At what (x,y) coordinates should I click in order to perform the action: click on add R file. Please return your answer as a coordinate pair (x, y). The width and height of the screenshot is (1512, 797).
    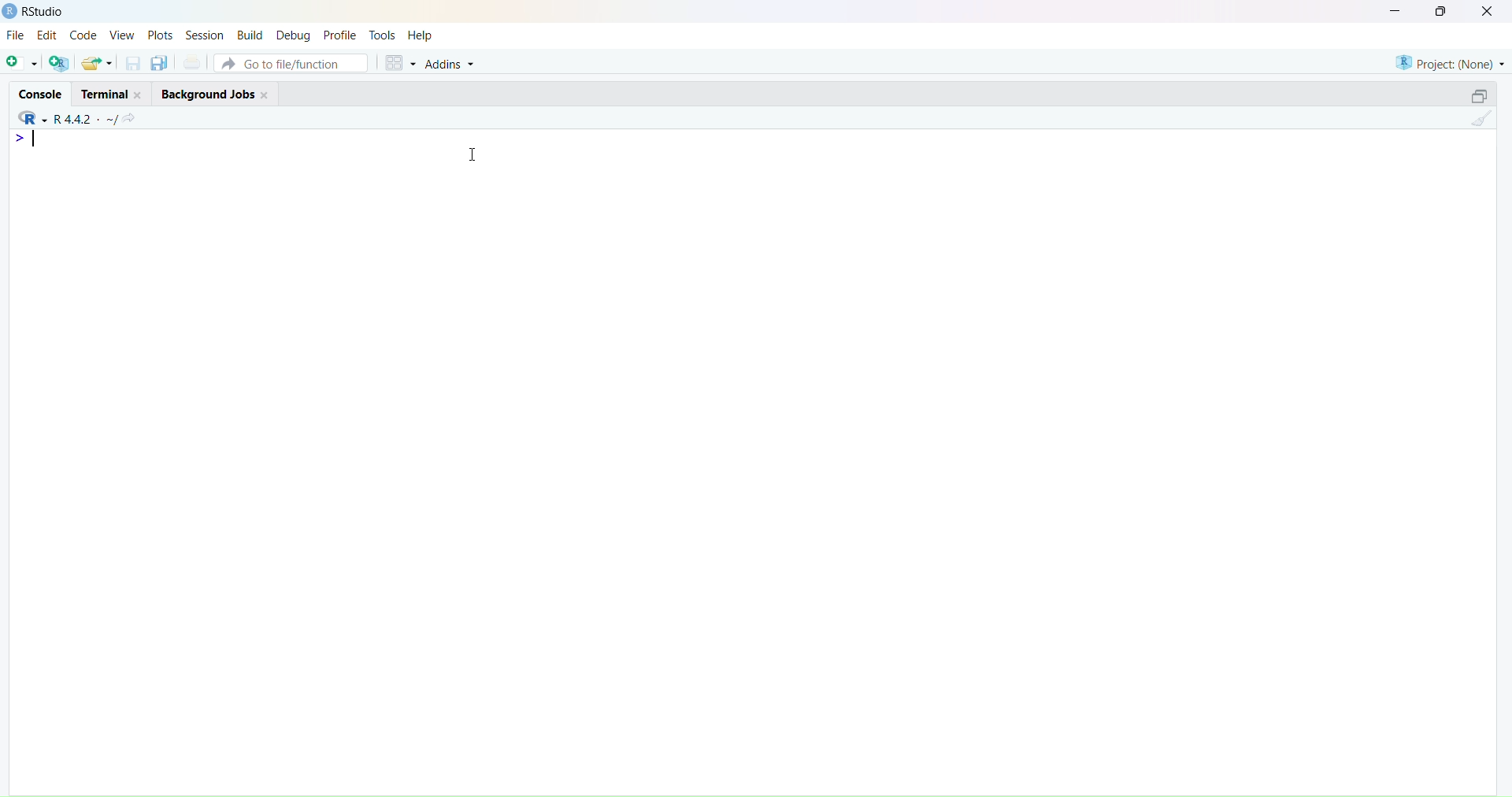
    Looking at the image, I should click on (59, 63).